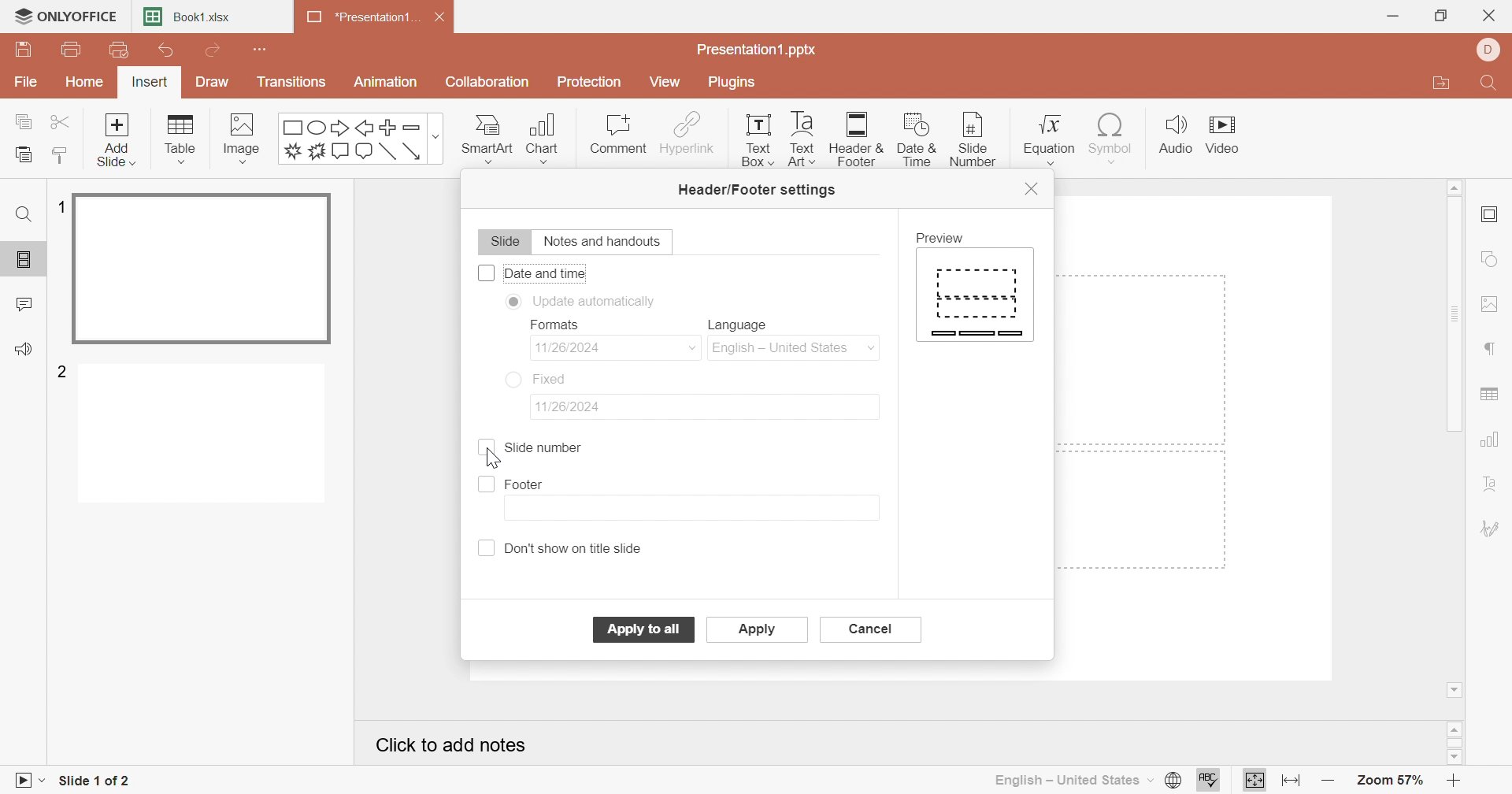 The image size is (1512, 794). What do you see at coordinates (485, 273) in the screenshot?
I see `Checkbox` at bounding box center [485, 273].